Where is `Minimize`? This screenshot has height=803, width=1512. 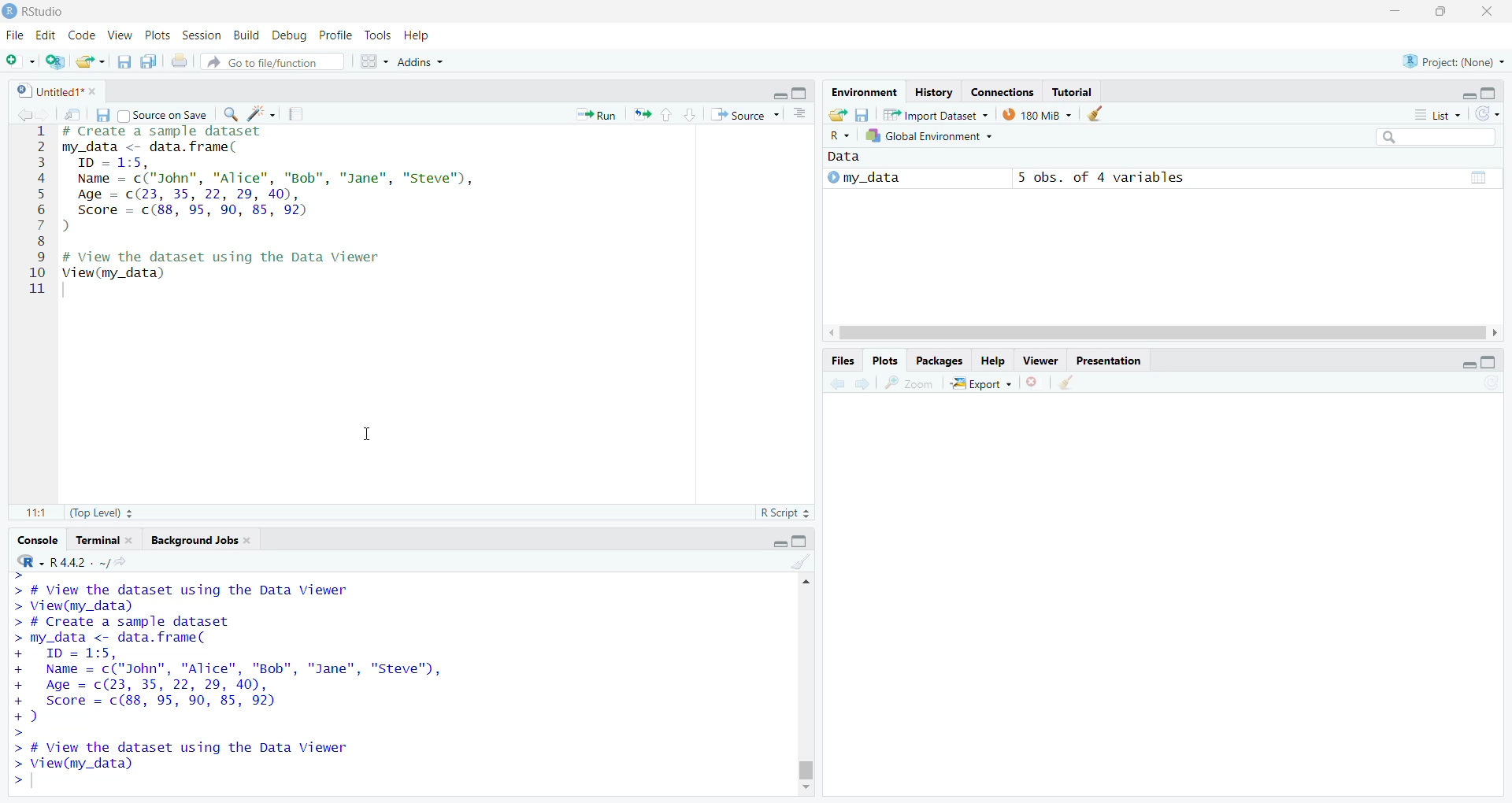
Minimize is located at coordinates (1393, 12).